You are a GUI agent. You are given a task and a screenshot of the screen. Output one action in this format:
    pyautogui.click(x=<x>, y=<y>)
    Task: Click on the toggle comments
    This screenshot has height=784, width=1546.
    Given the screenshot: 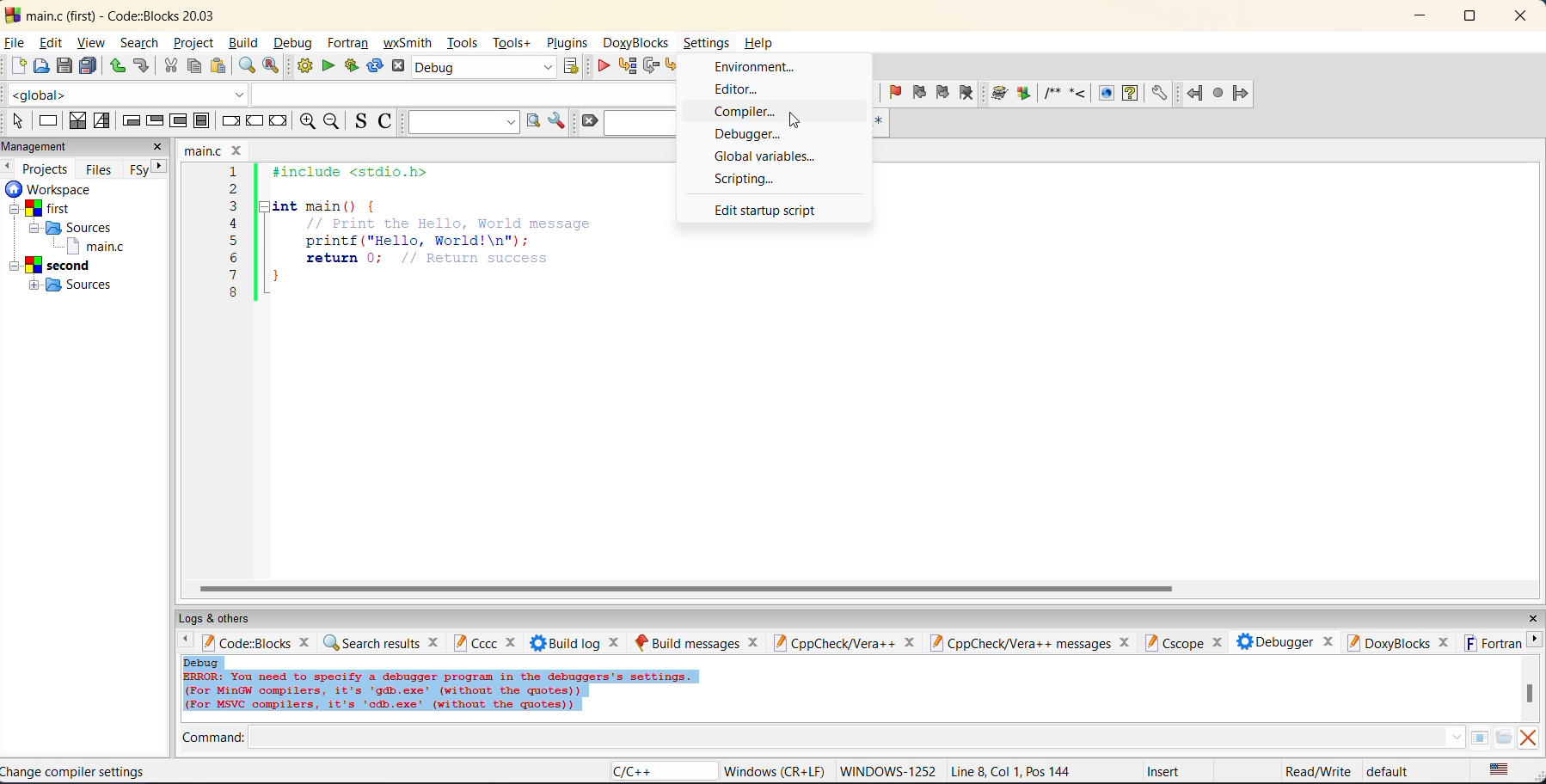 What is the action you would take?
    pyautogui.click(x=387, y=124)
    